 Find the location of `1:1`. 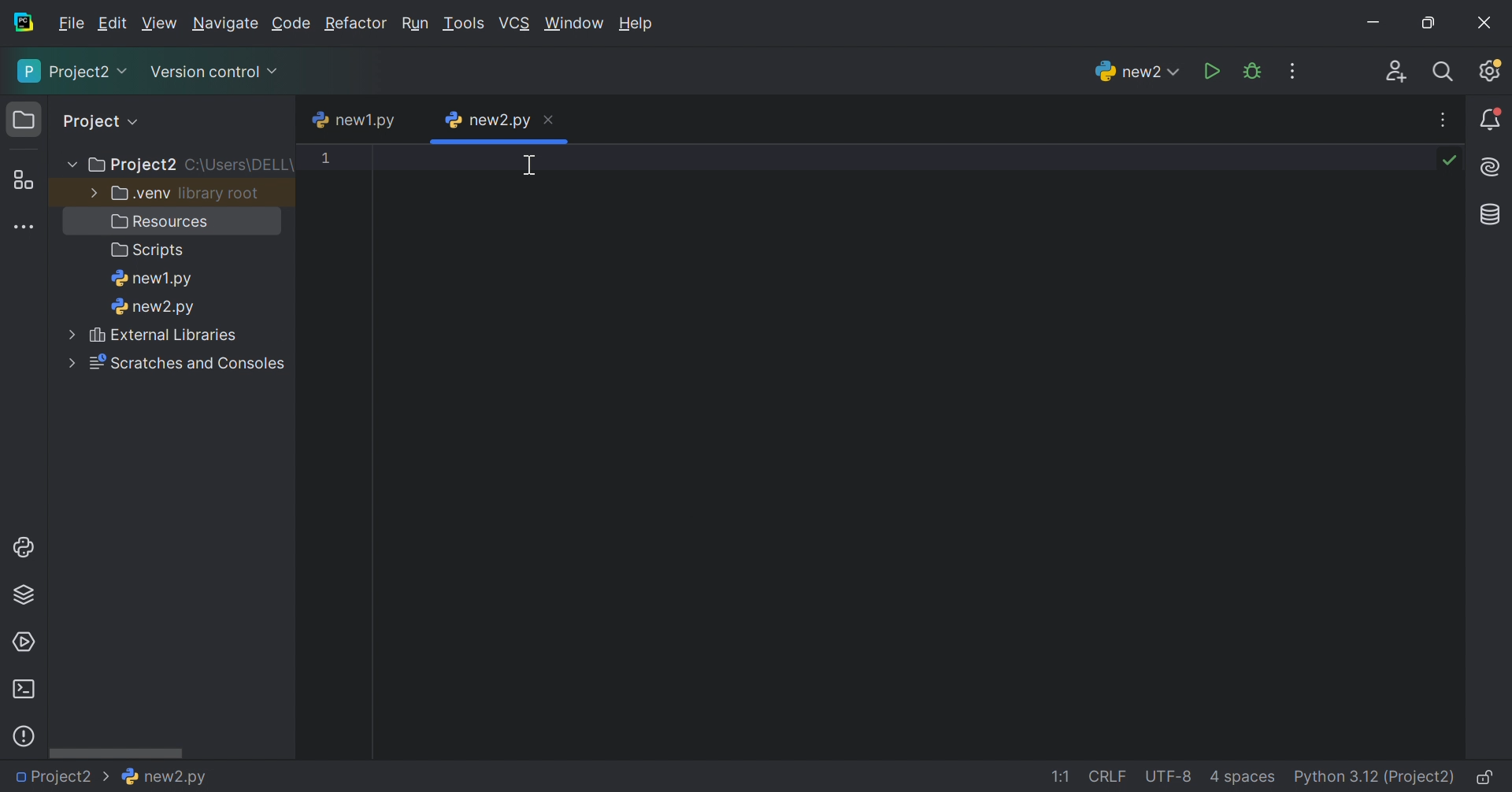

1:1 is located at coordinates (1061, 778).